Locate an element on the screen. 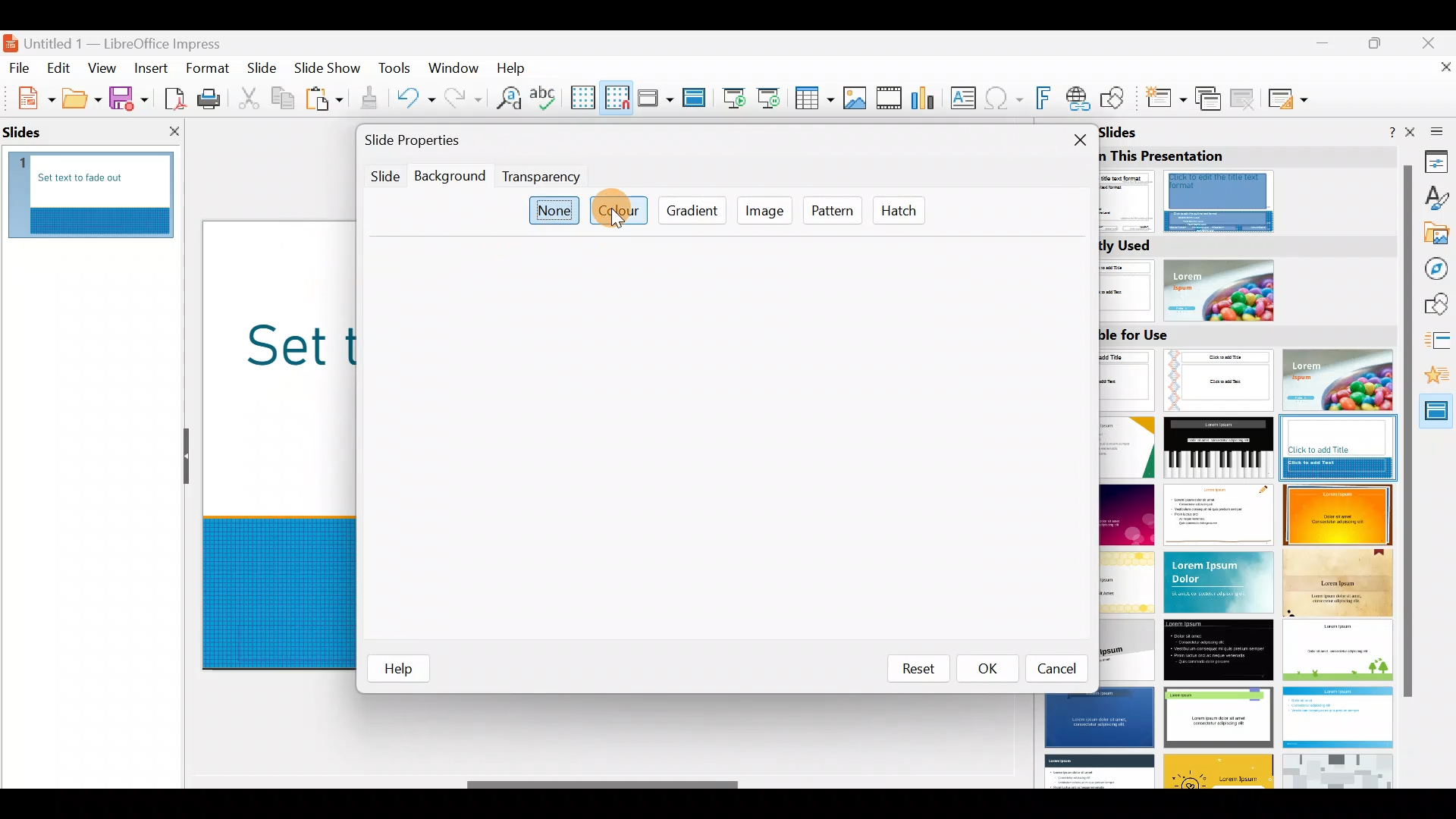  Cut is located at coordinates (251, 99).